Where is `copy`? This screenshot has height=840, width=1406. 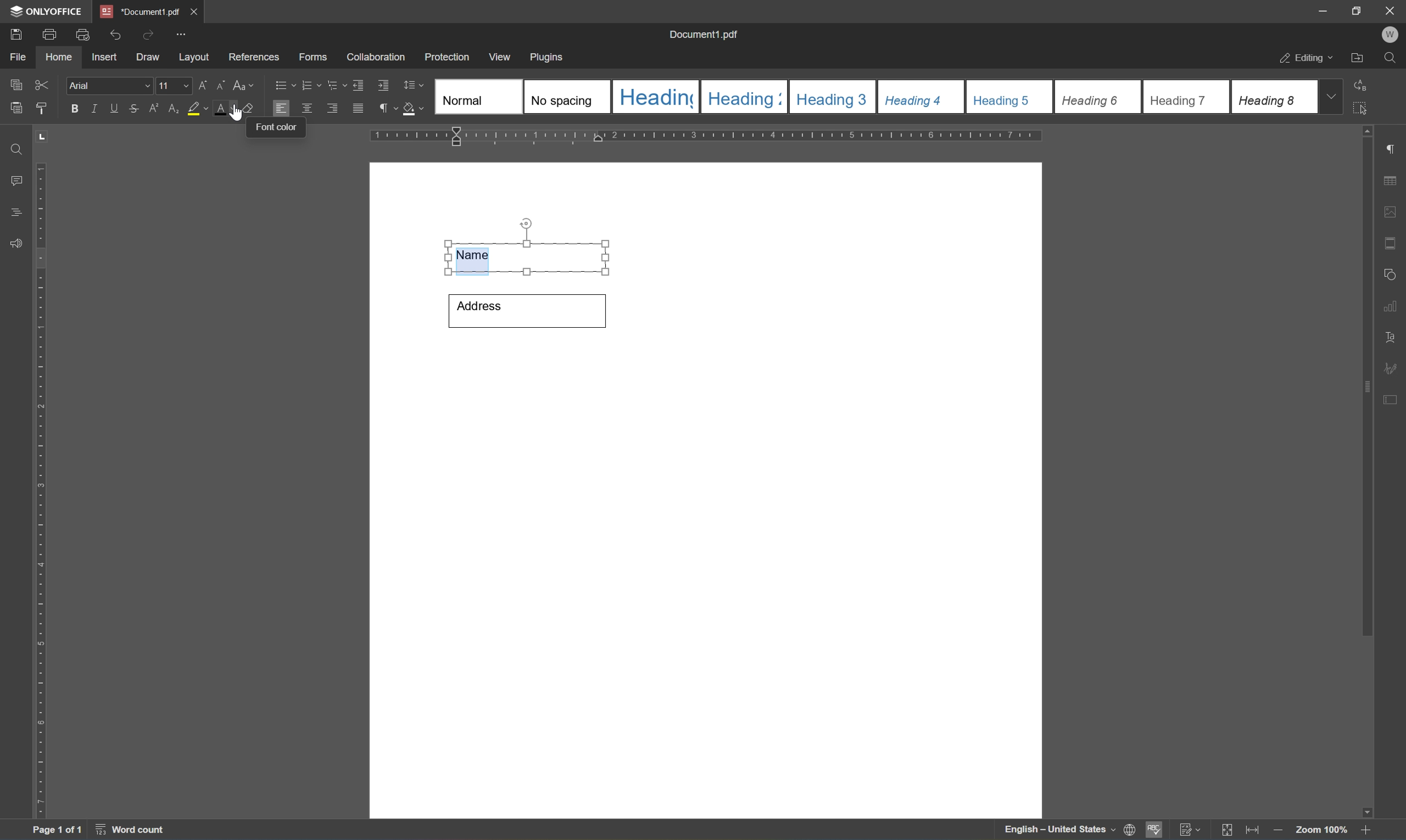
copy is located at coordinates (17, 108).